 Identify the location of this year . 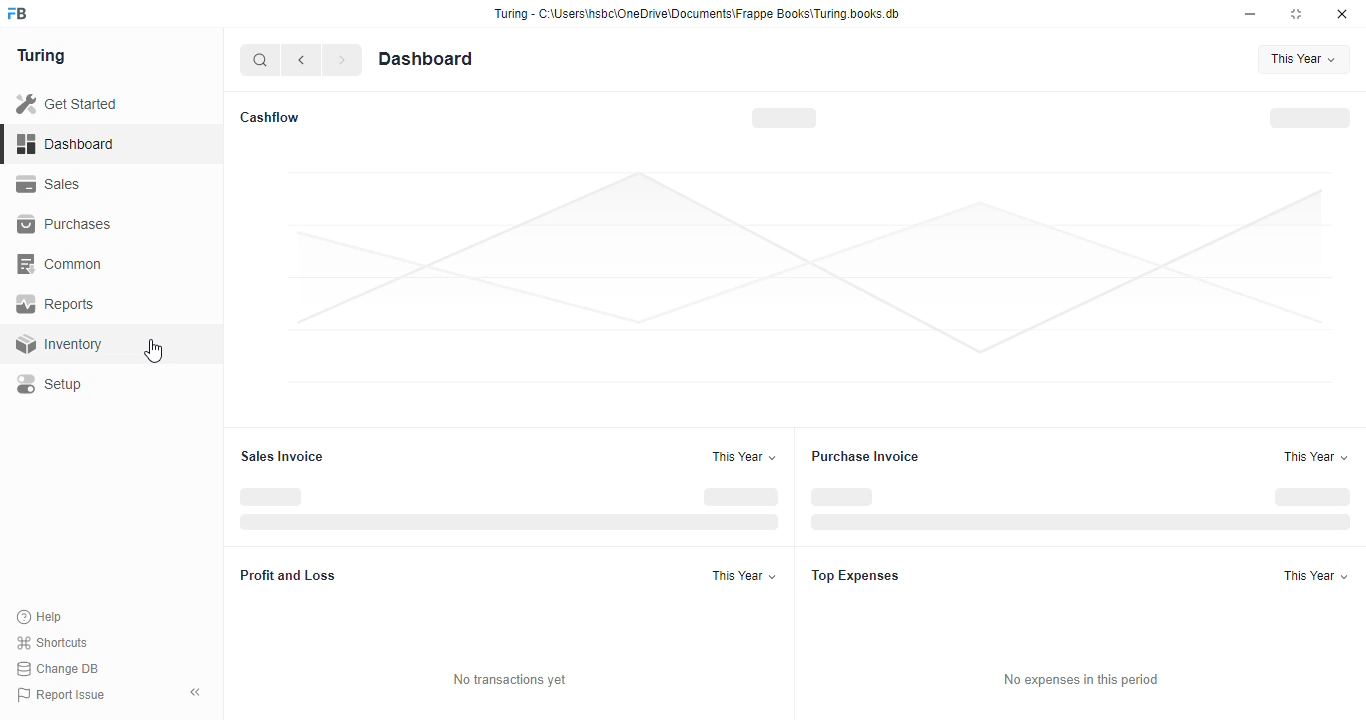
(746, 575).